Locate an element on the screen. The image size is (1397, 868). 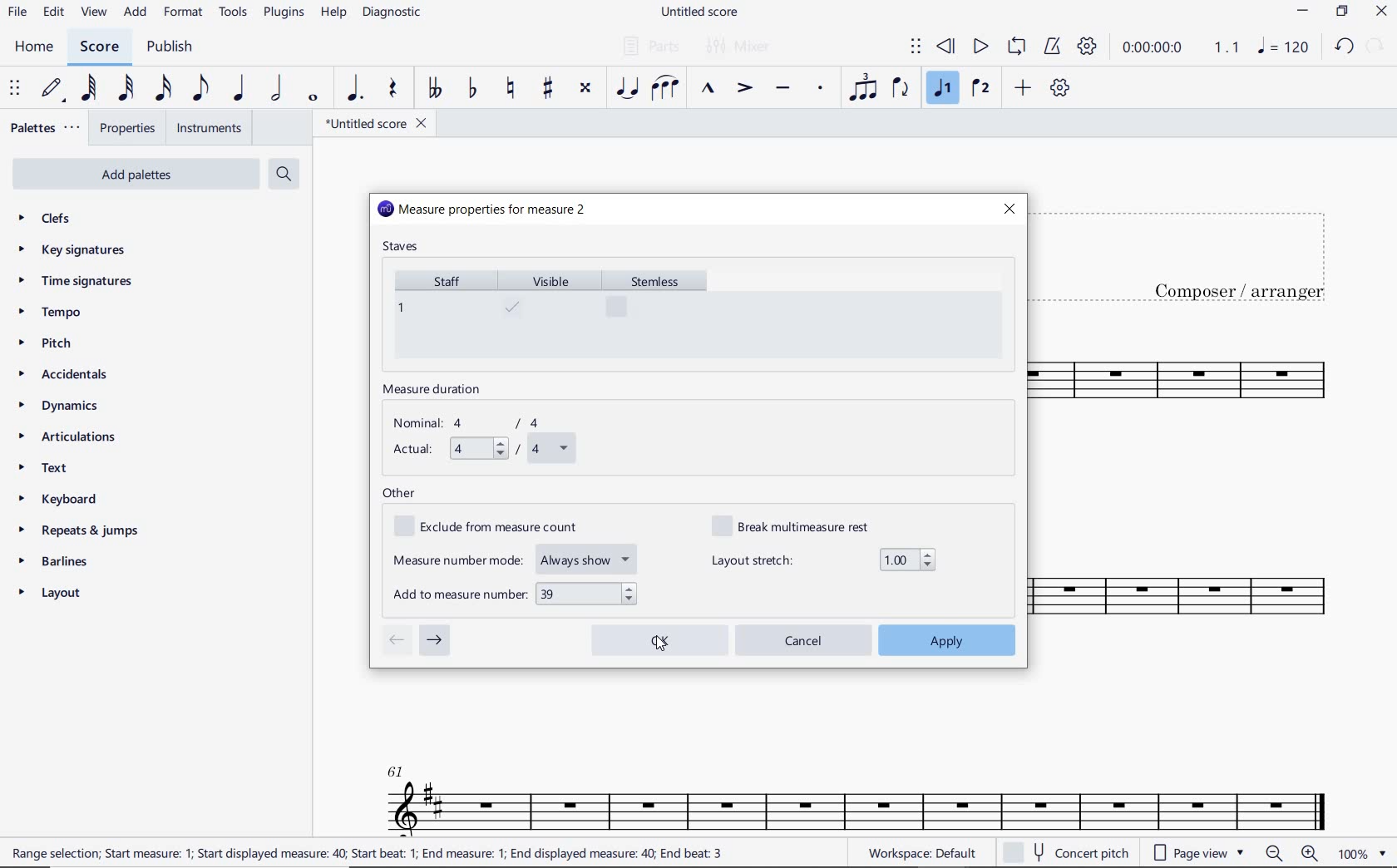
TOGGLE FLAT is located at coordinates (473, 90).